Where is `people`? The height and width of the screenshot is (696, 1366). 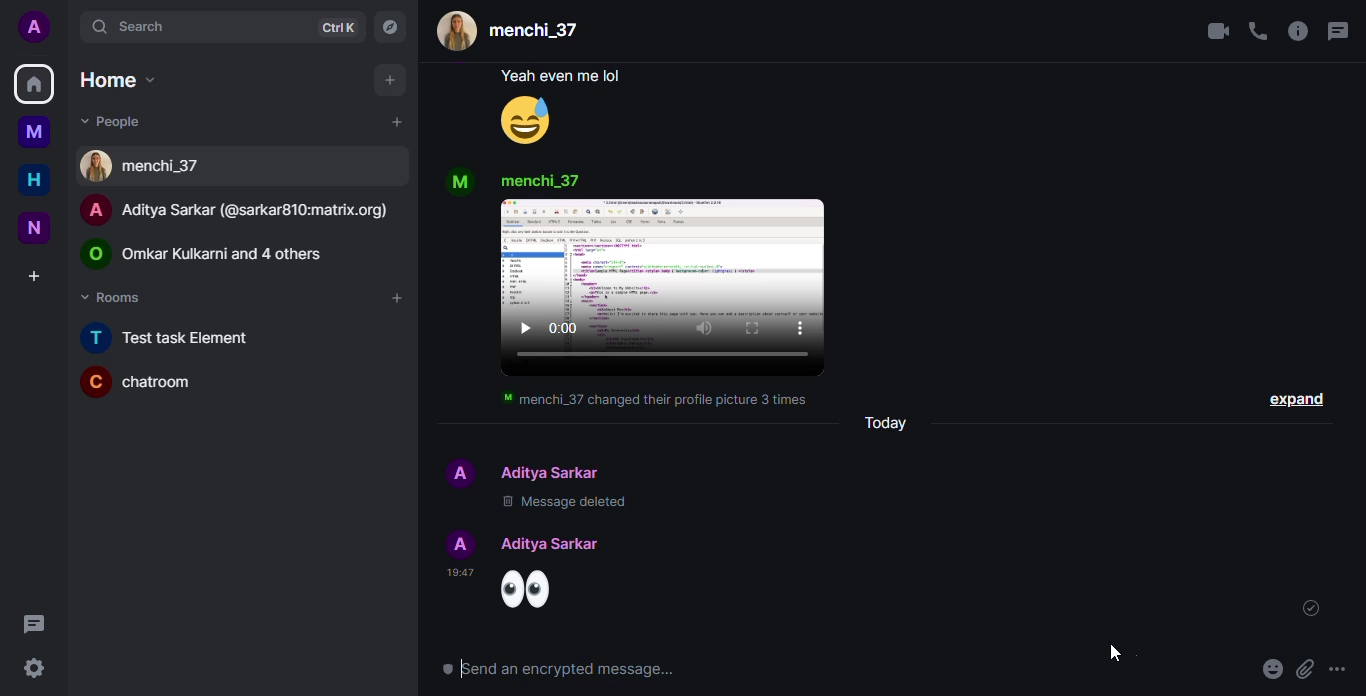 people is located at coordinates (243, 210).